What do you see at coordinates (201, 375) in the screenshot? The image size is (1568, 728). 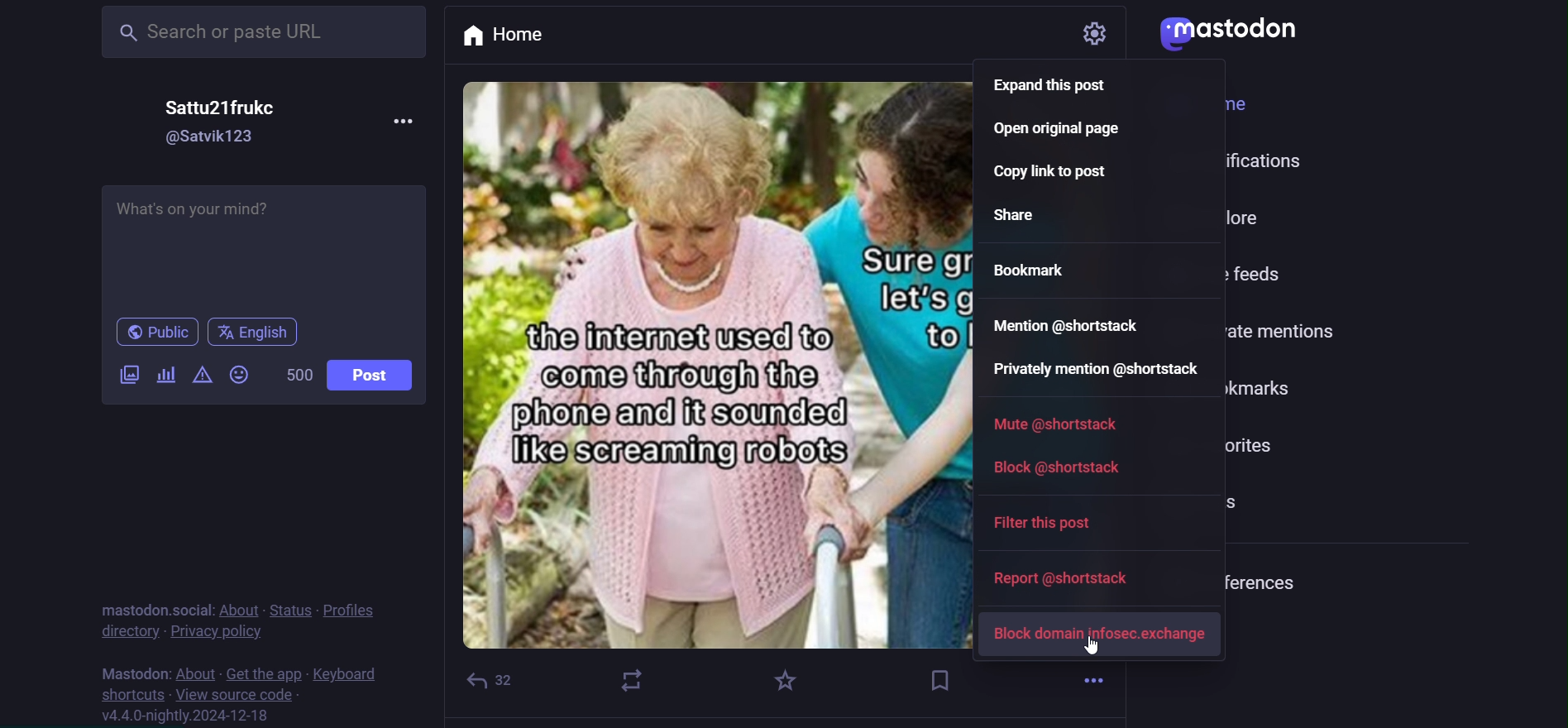 I see `content warning` at bounding box center [201, 375].